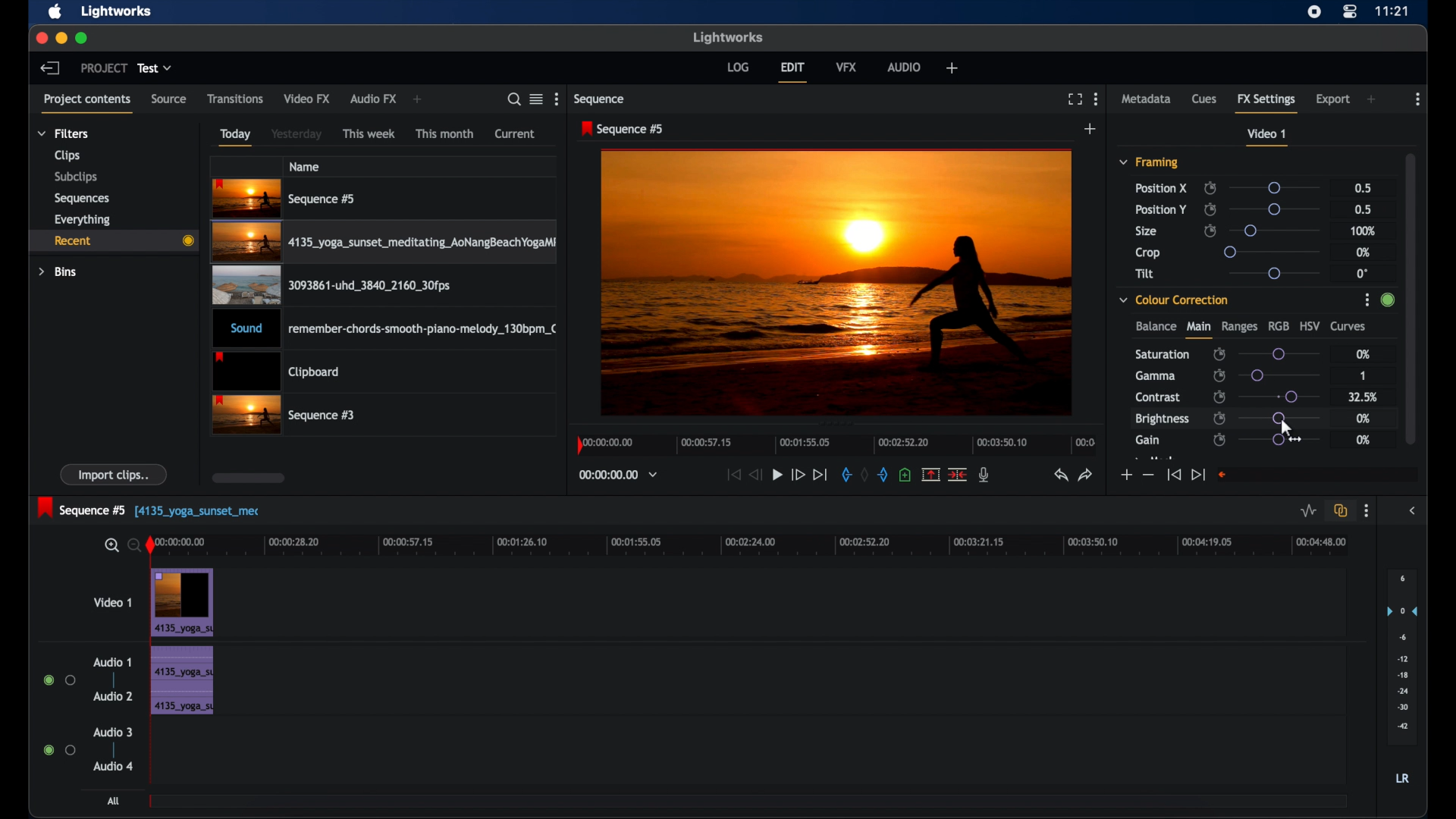 This screenshot has width=1456, height=819. What do you see at coordinates (1365, 209) in the screenshot?
I see `0.5` at bounding box center [1365, 209].